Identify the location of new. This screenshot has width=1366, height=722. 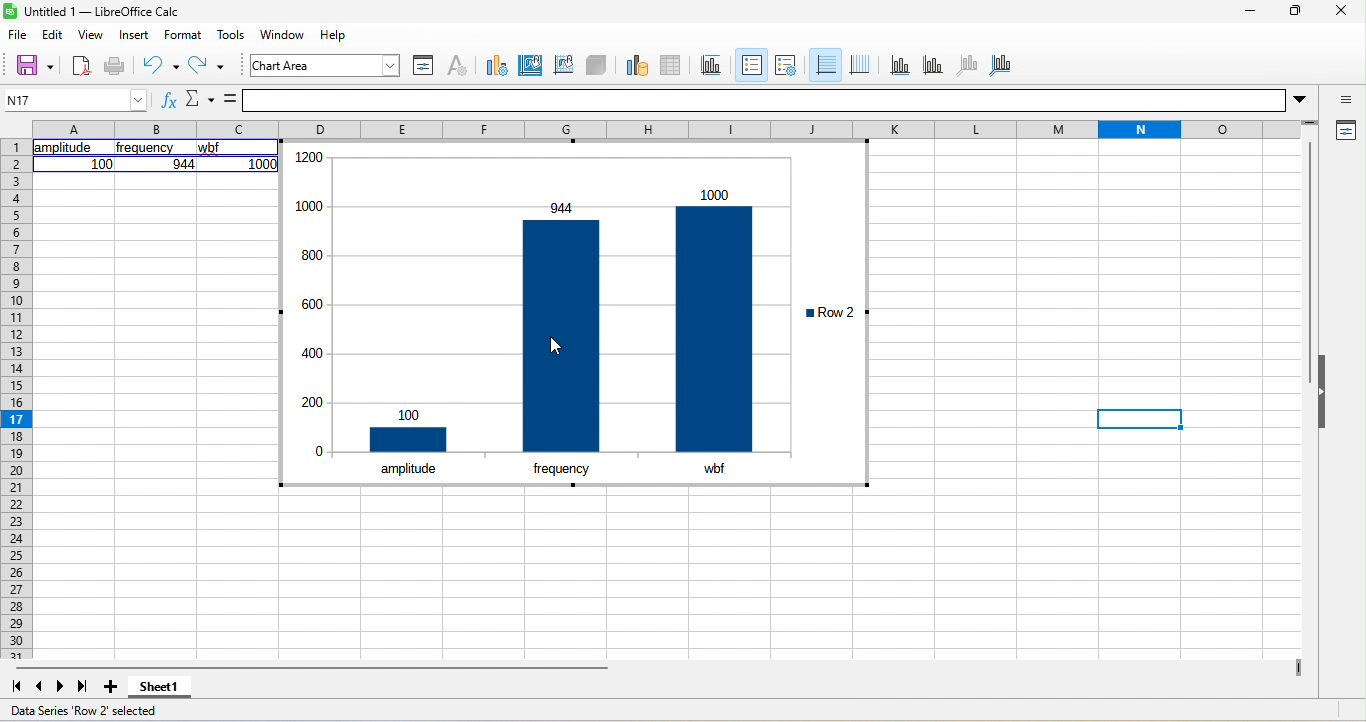
(80, 65).